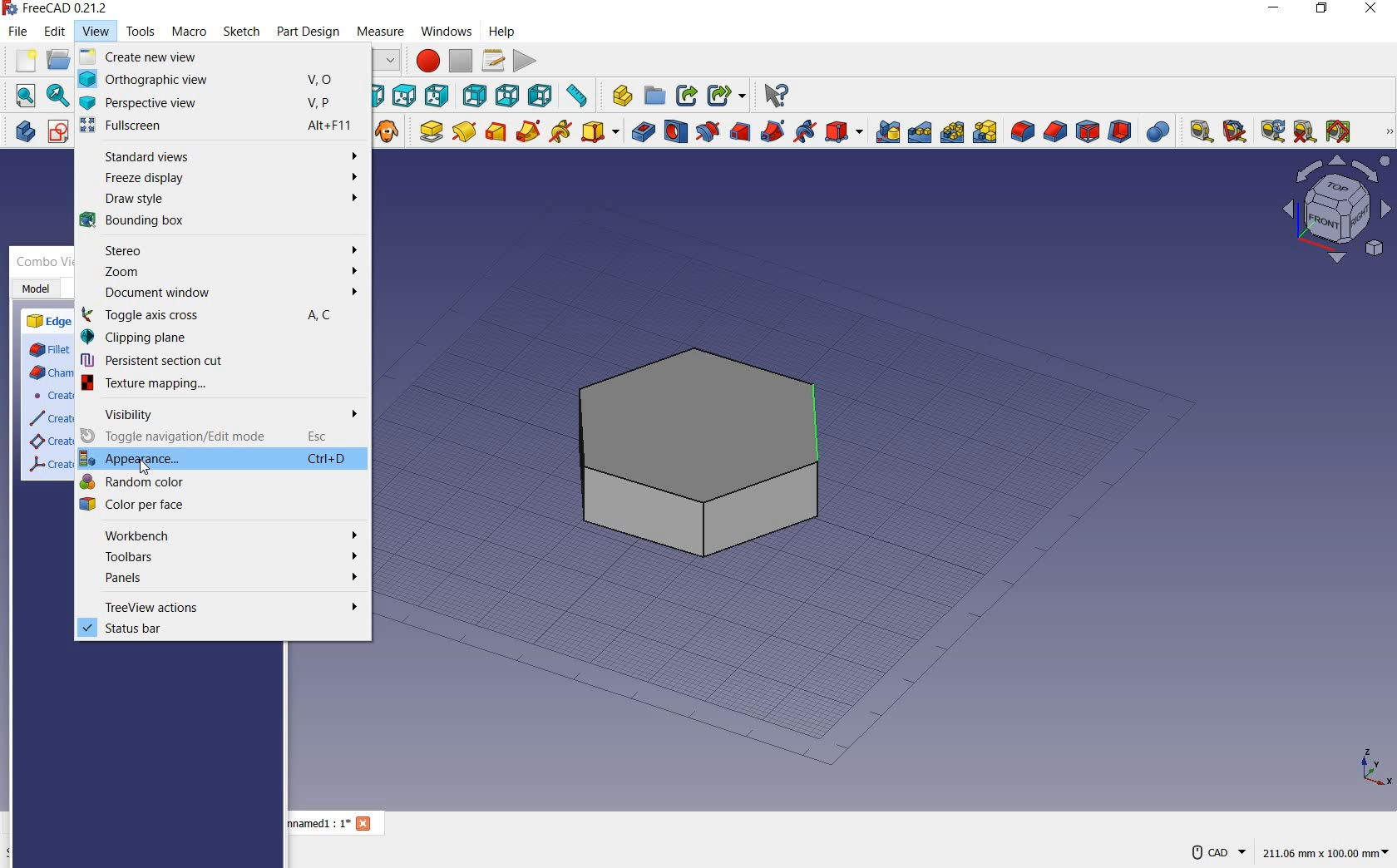  What do you see at coordinates (1197, 133) in the screenshot?
I see `measure linear` at bounding box center [1197, 133].